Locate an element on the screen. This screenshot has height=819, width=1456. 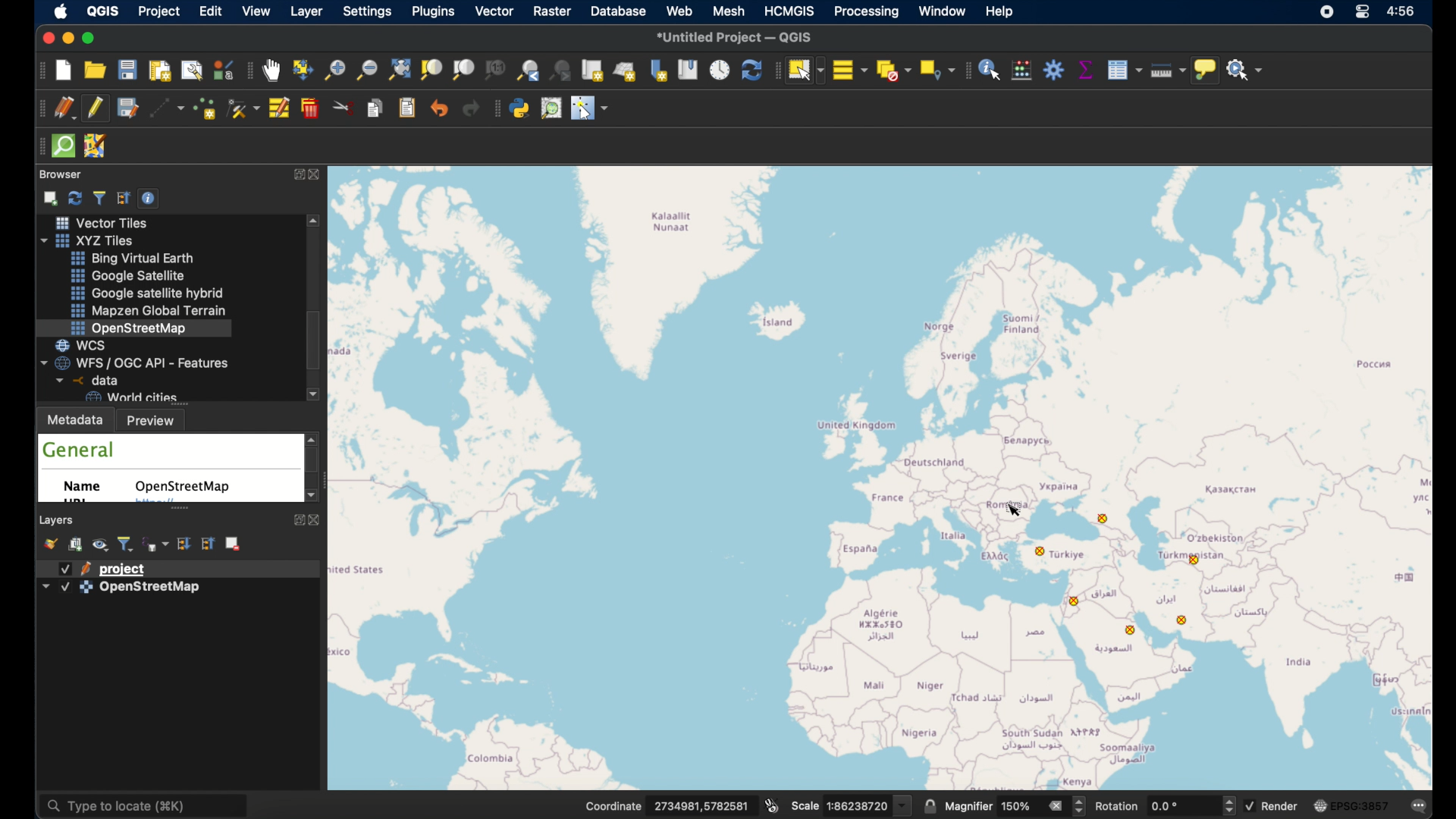
google satellite hybrid is located at coordinates (145, 293).